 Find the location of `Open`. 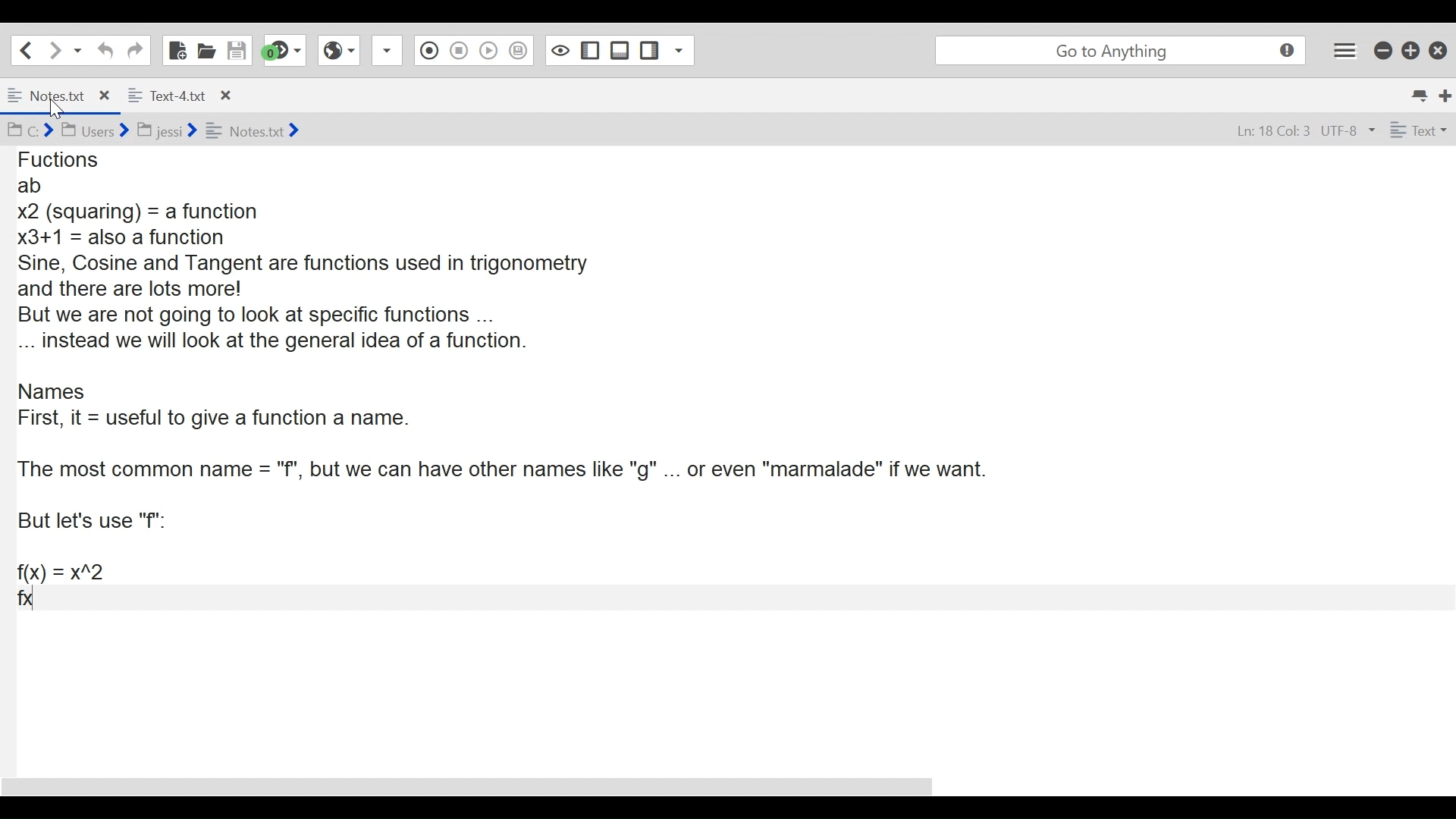

Open is located at coordinates (207, 50).